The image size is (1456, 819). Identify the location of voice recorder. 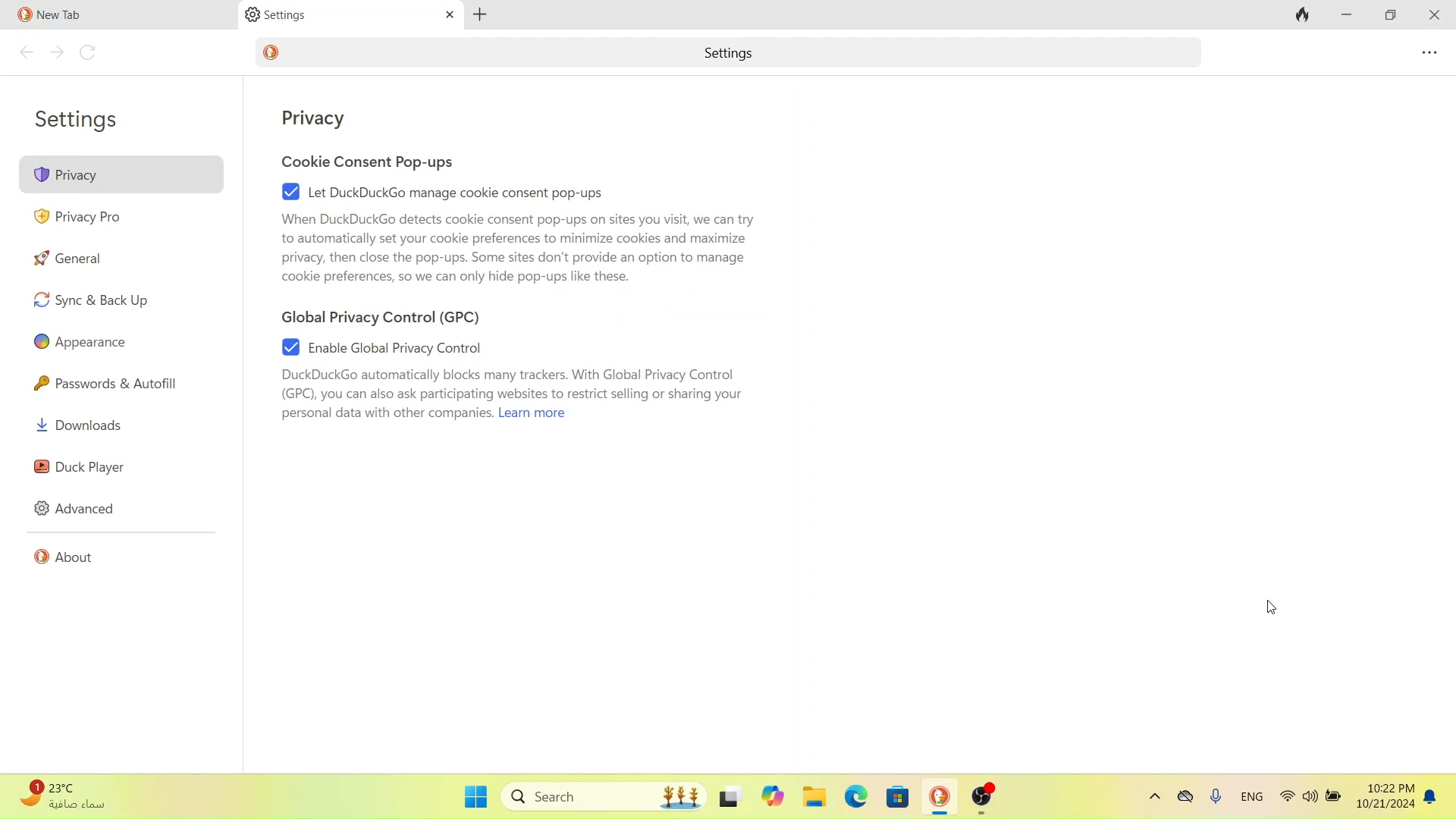
(1219, 802).